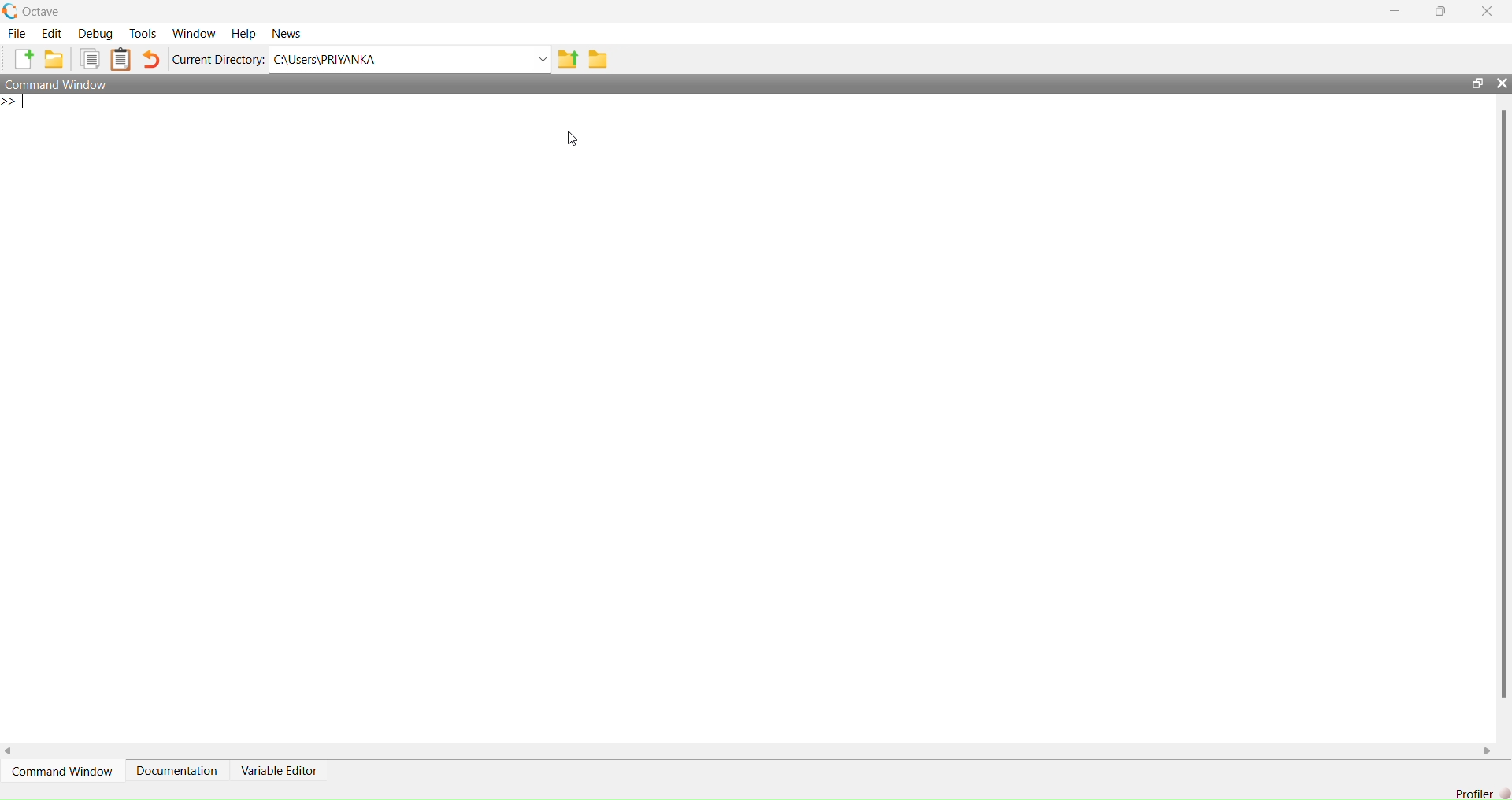 Image resolution: width=1512 pixels, height=800 pixels. I want to click on Command Window, so click(57, 83).